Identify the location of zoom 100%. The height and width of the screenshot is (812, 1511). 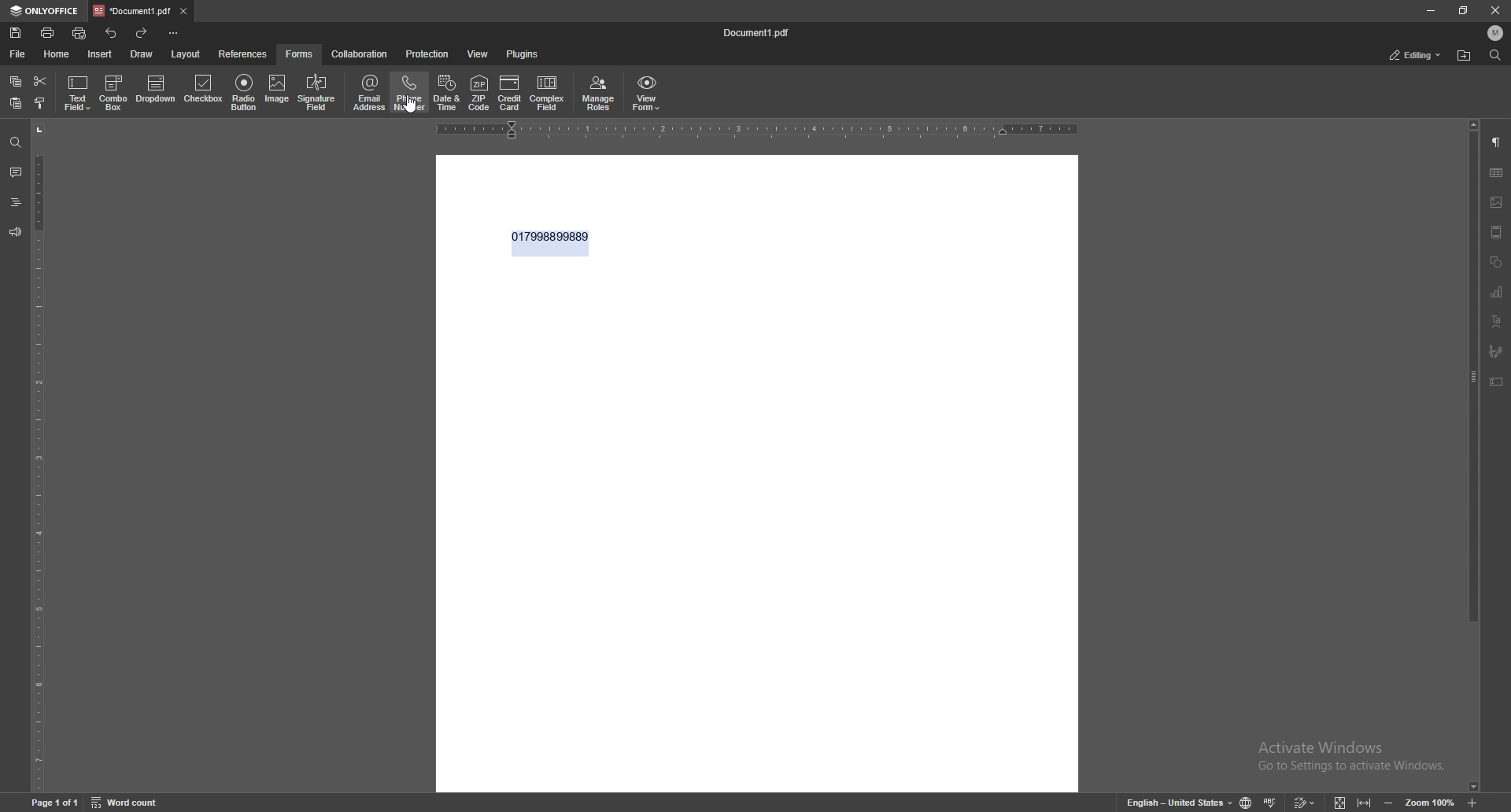
(1429, 803).